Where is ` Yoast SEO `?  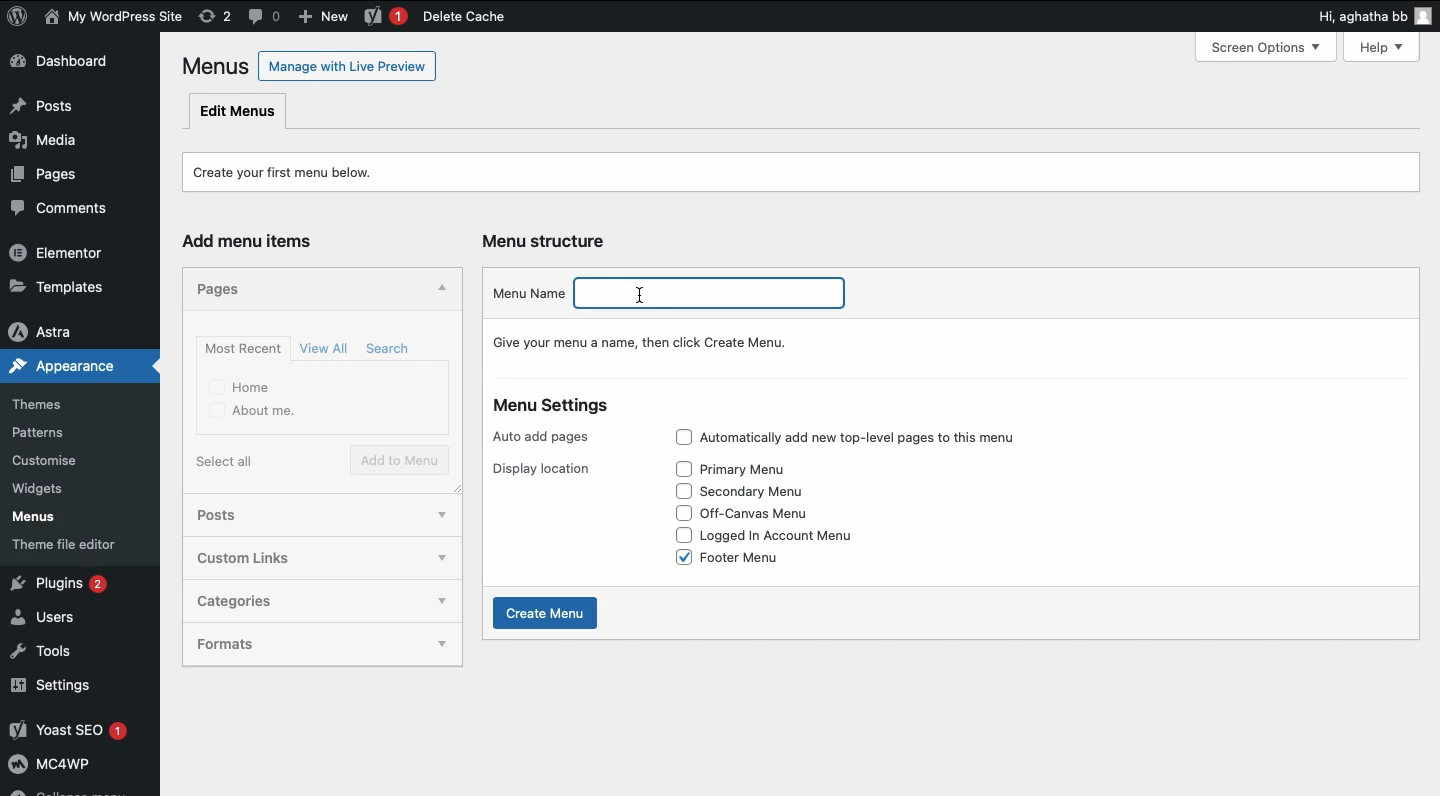  Yoast SEO  is located at coordinates (78, 731).